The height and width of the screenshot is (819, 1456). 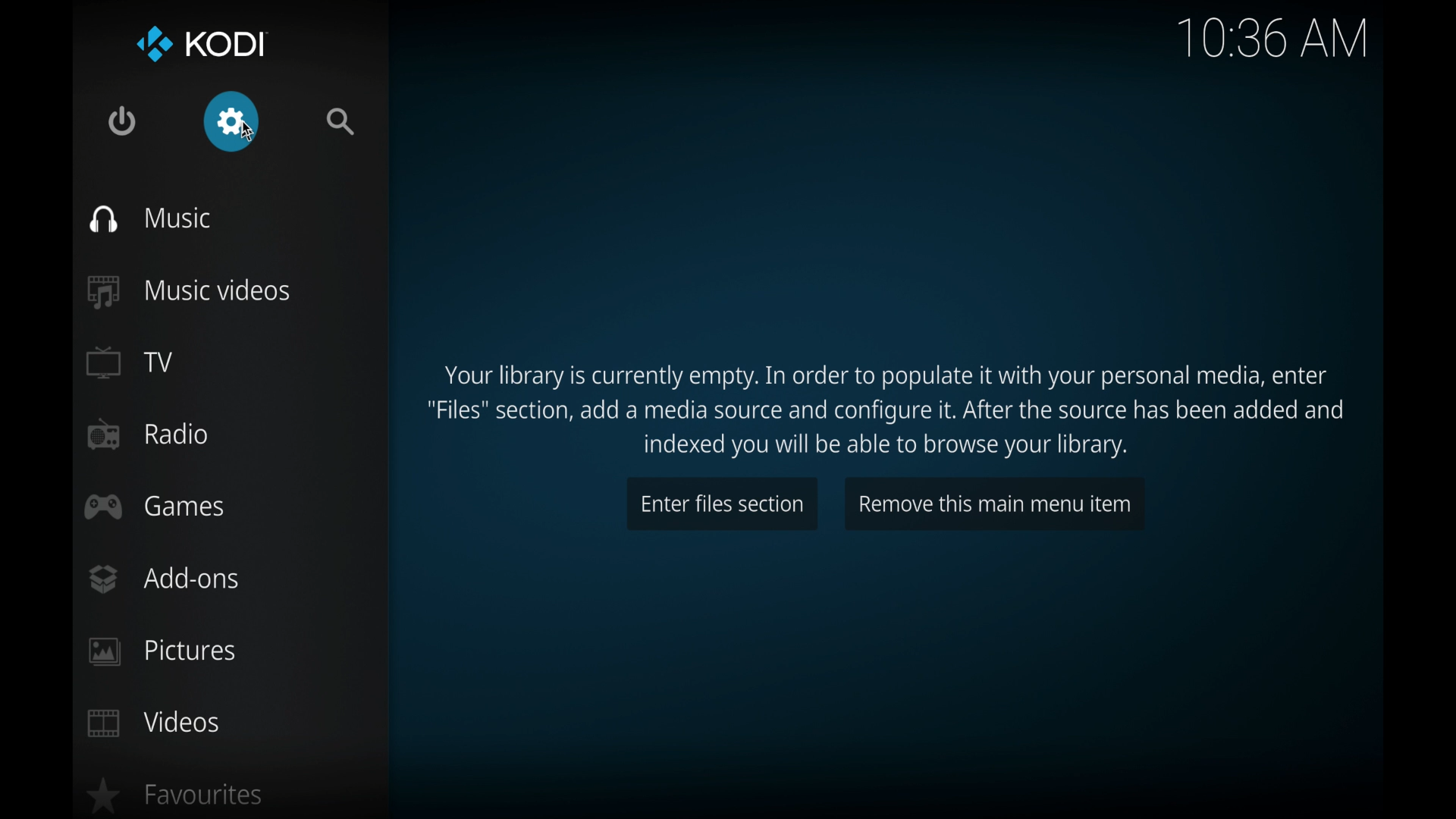 I want to click on kodi, so click(x=202, y=45).